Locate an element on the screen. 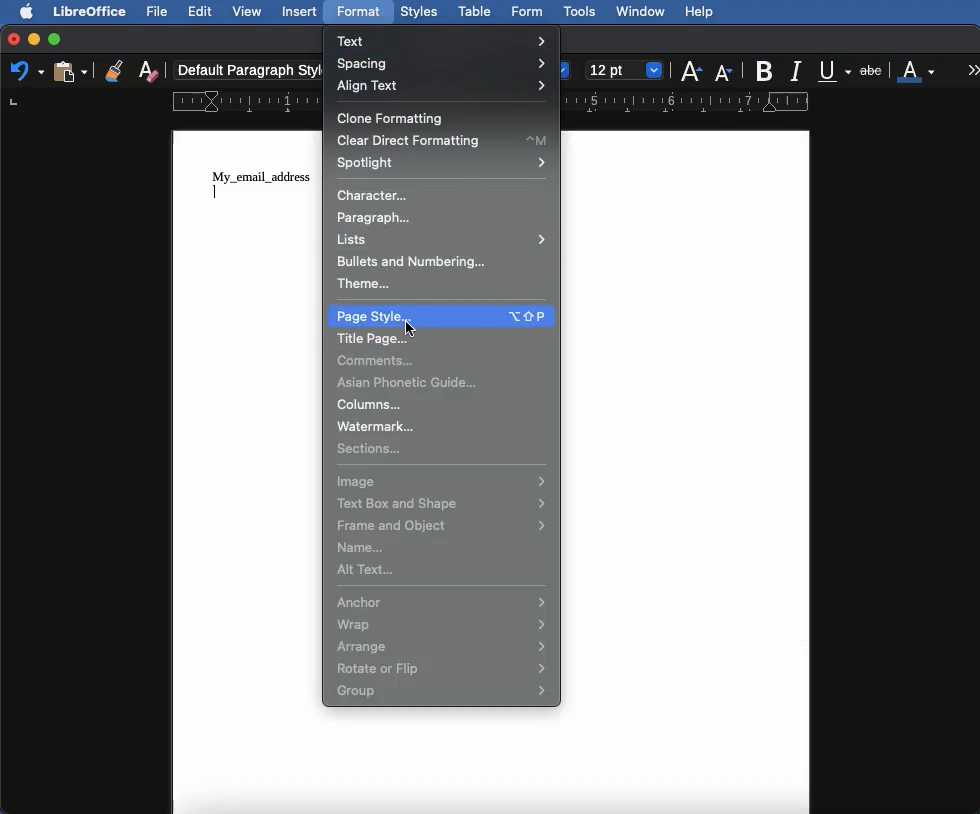 Image resolution: width=980 pixels, height=814 pixels. Size increase is located at coordinates (690, 69).